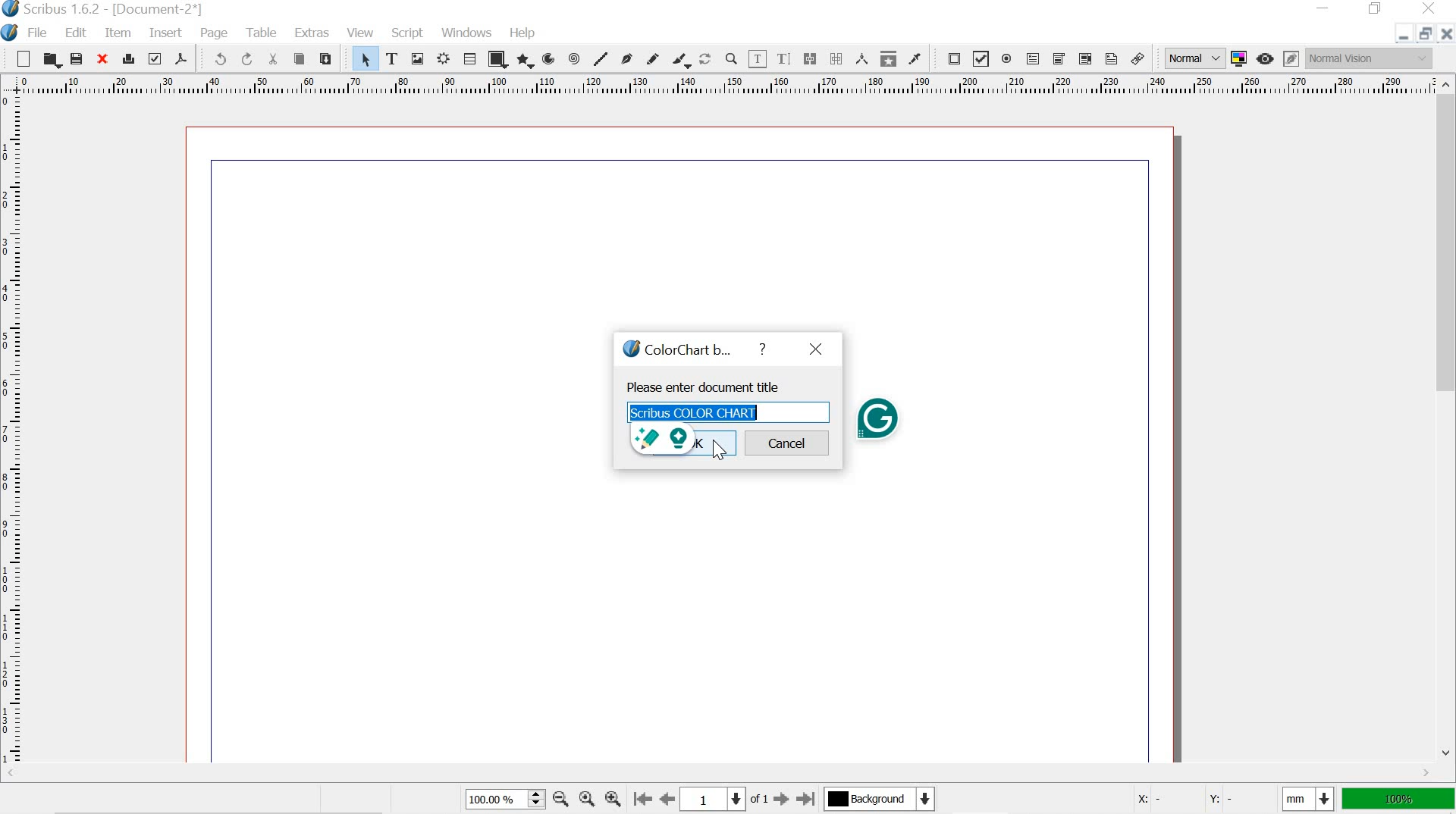  What do you see at coordinates (878, 799) in the screenshot?
I see `Background color` at bounding box center [878, 799].